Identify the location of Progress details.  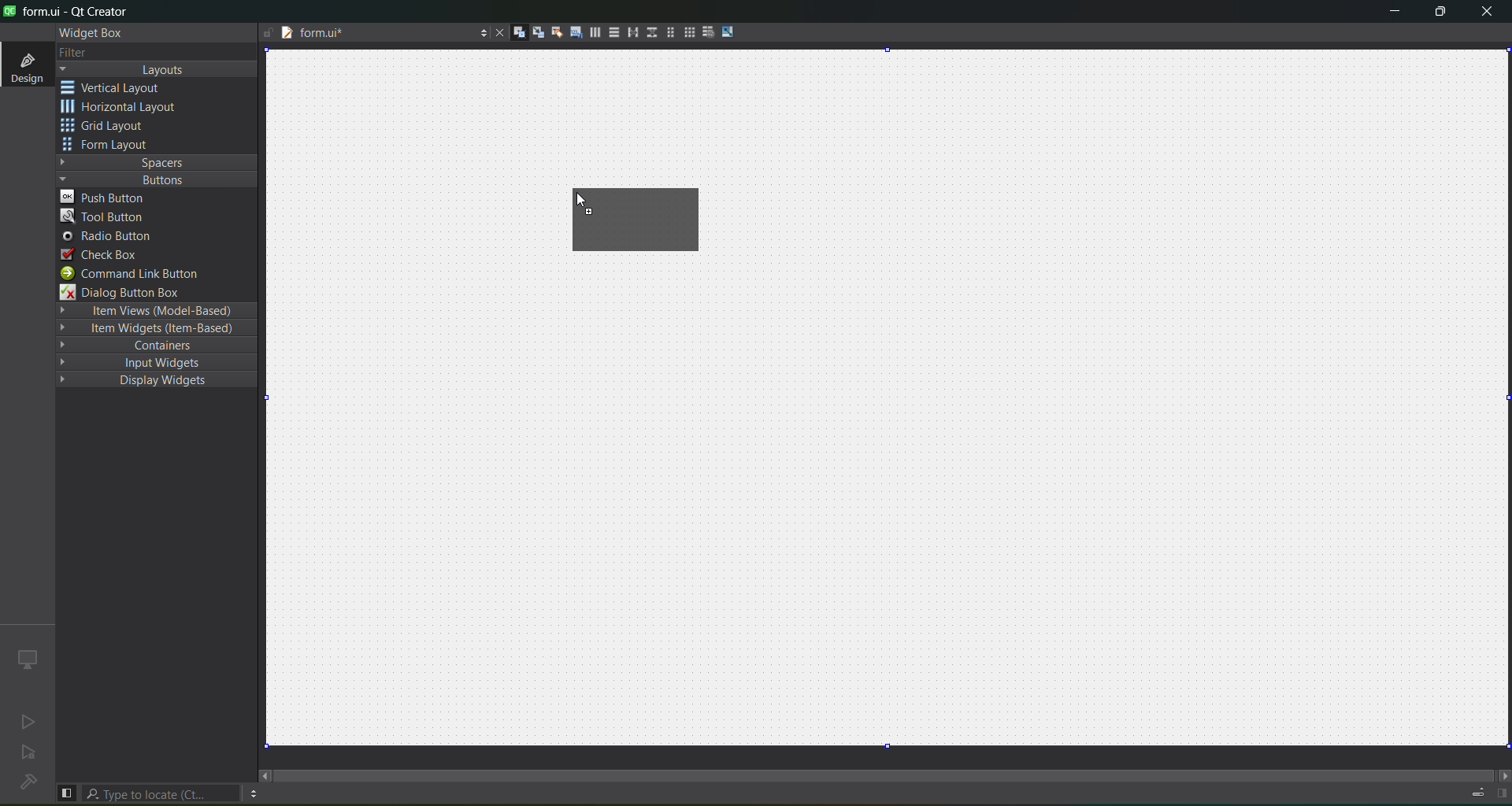
(1470, 790).